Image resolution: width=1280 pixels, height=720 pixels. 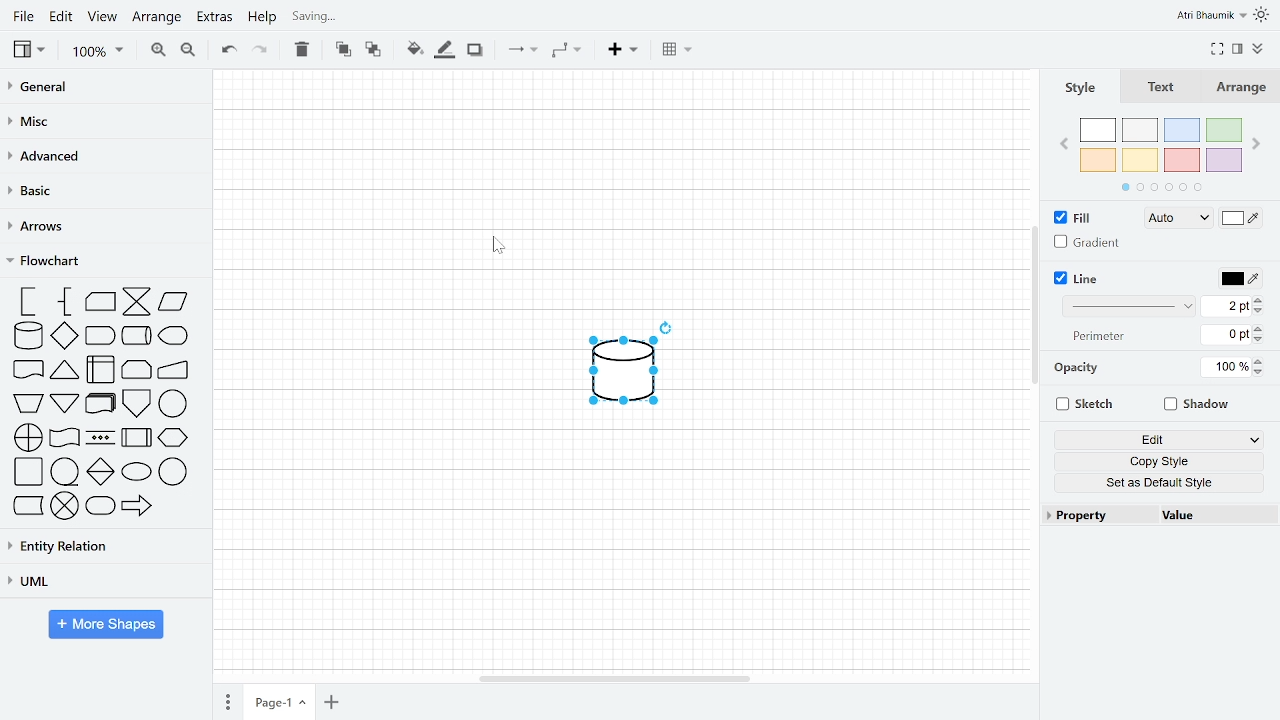 What do you see at coordinates (1226, 367) in the screenshot?
I see `Current opacity` at bounding box center [1226, 367].